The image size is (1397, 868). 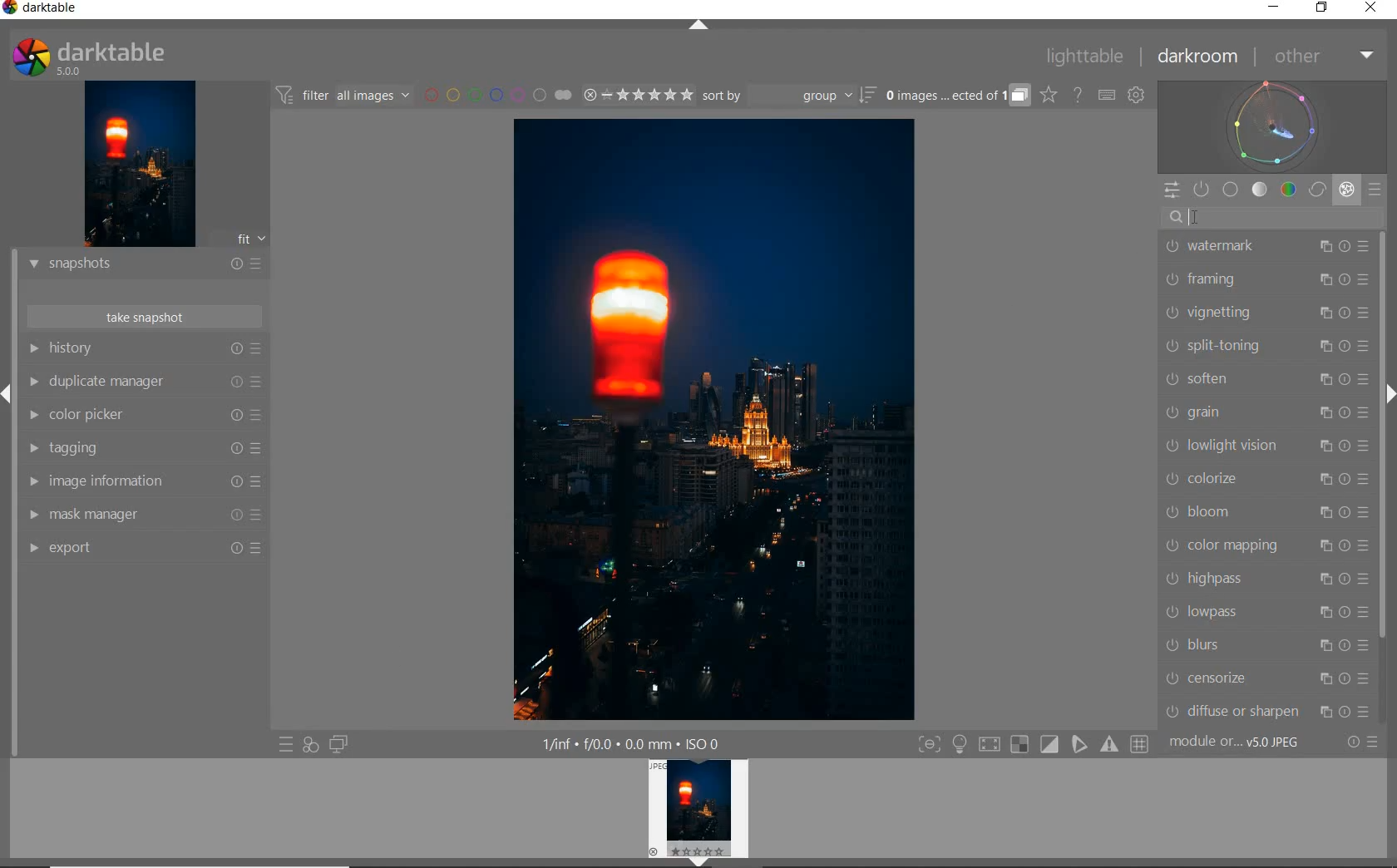 What do you see at coordinates (1201, 57) in the screenshot?
I see `DARKROOM` at bounding box center [1201, 57].